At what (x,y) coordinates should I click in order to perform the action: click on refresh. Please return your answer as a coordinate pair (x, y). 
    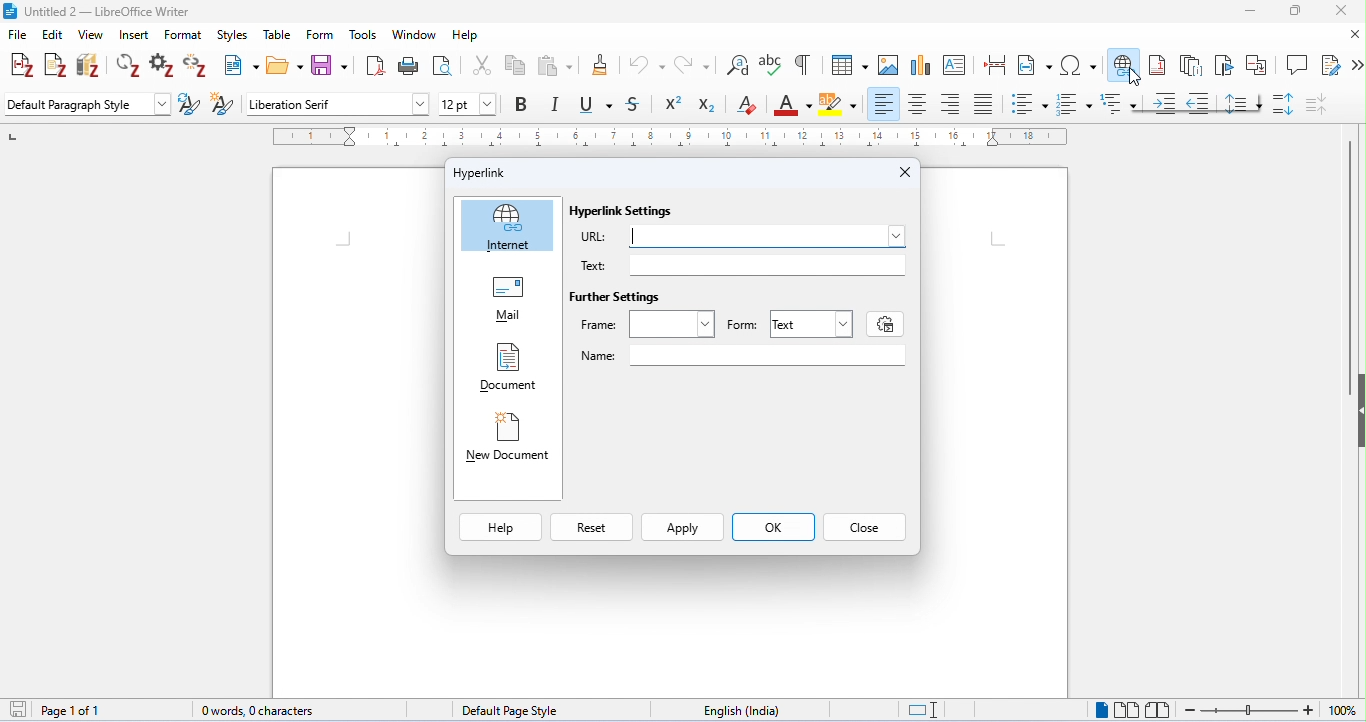
    Looking at the image, I should click on (129, 66).